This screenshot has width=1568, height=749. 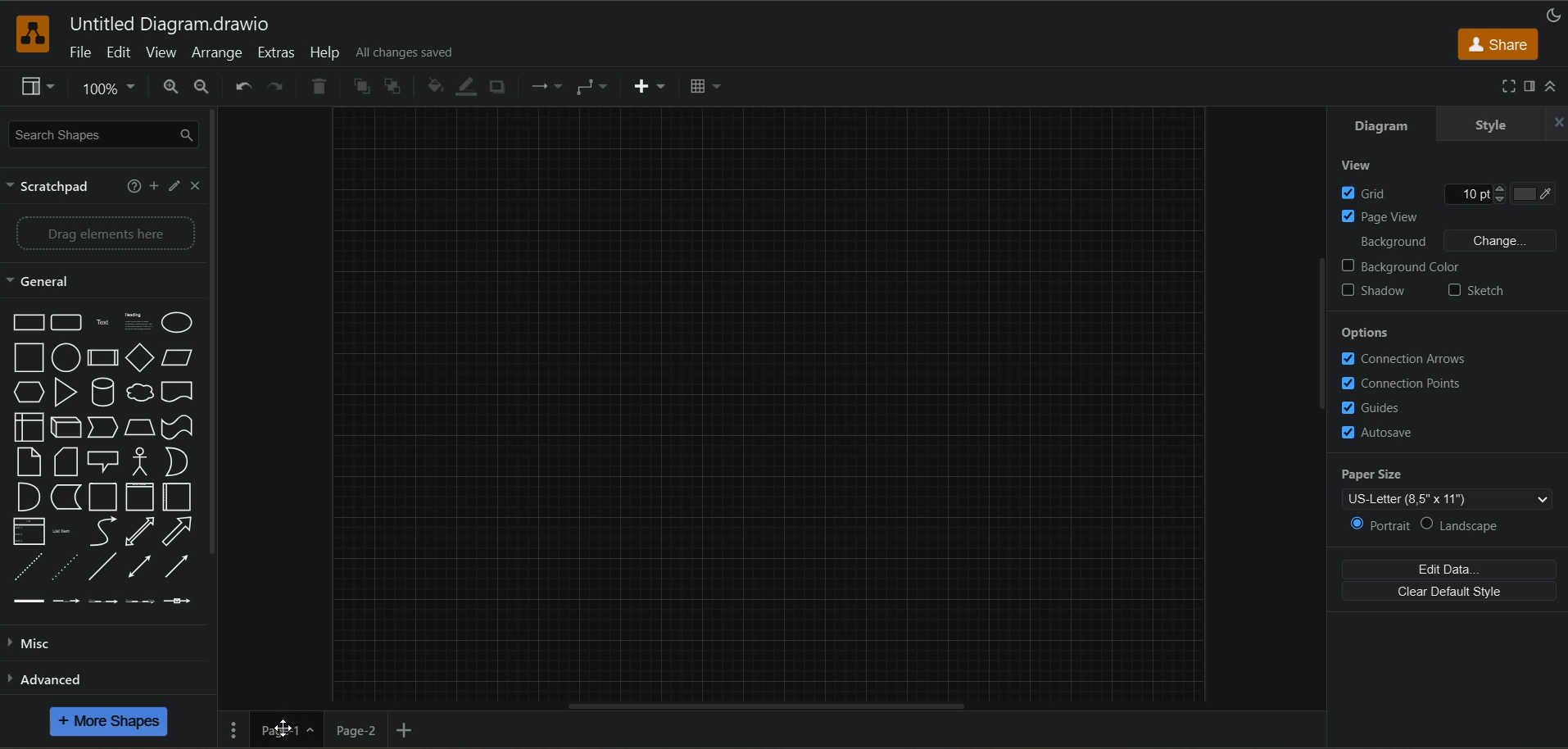 What do you see at coordinates (100, 235) in the screenshot?
I see `drag elements here` at bounding box center [100, 235].